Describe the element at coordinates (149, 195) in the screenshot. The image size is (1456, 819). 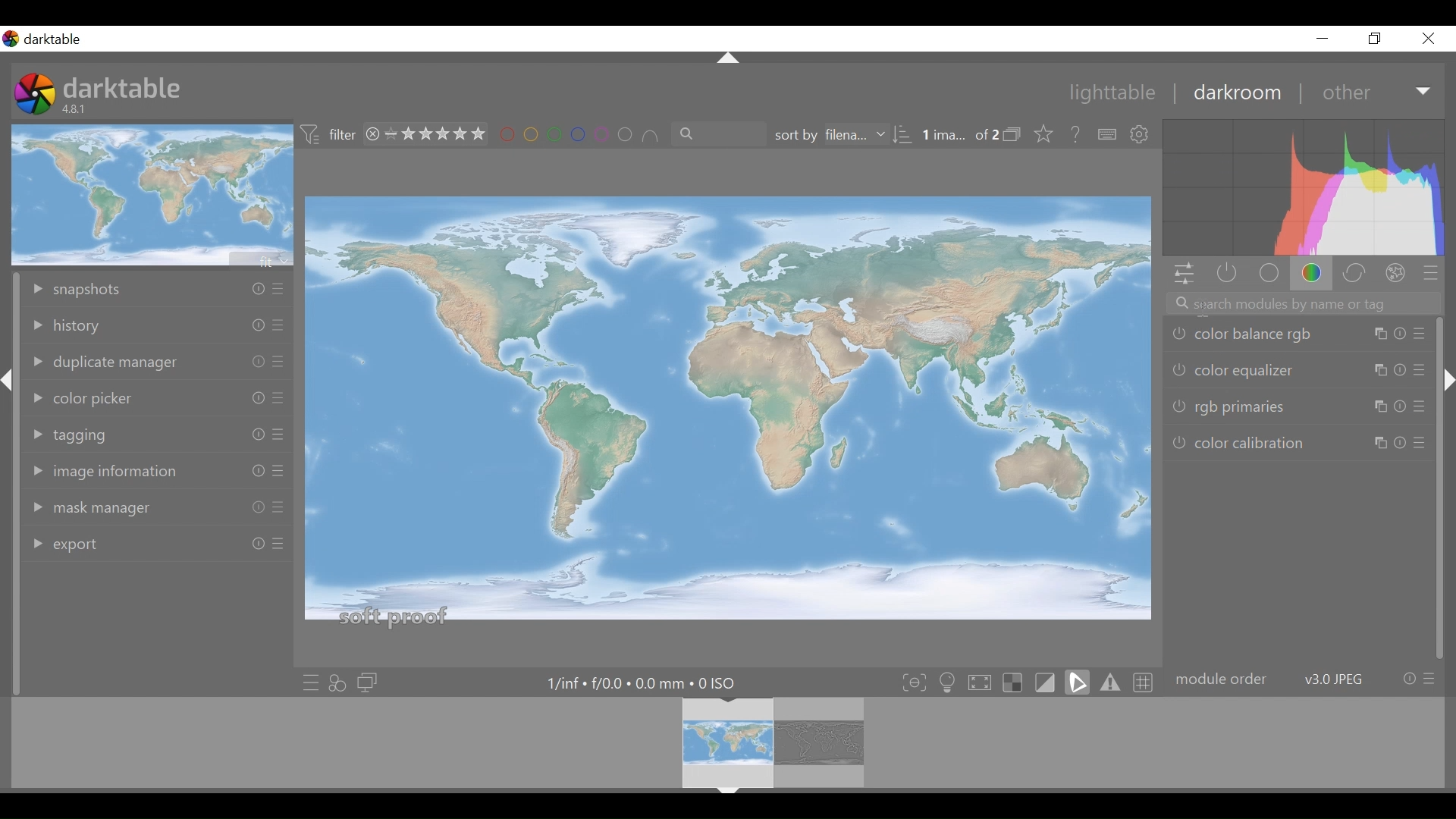
I see `image preview` at that location.